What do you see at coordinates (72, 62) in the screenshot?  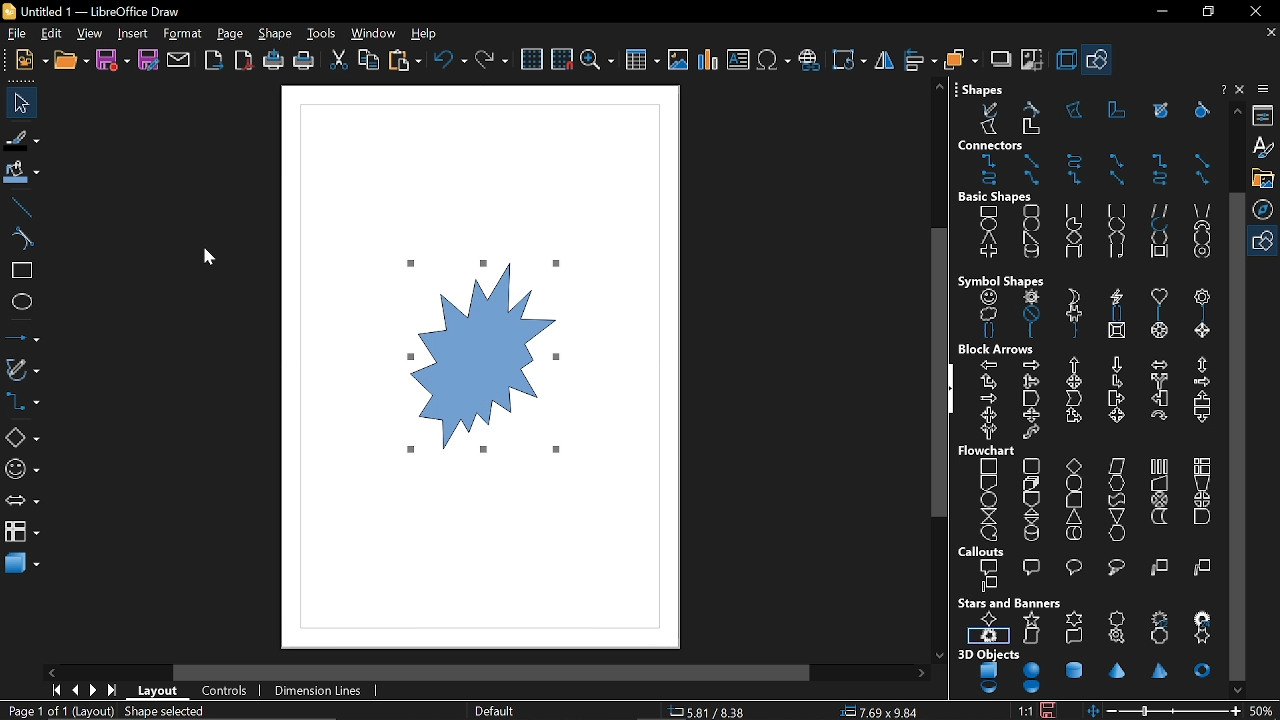 I see `open` at bounding box center [72, 62].